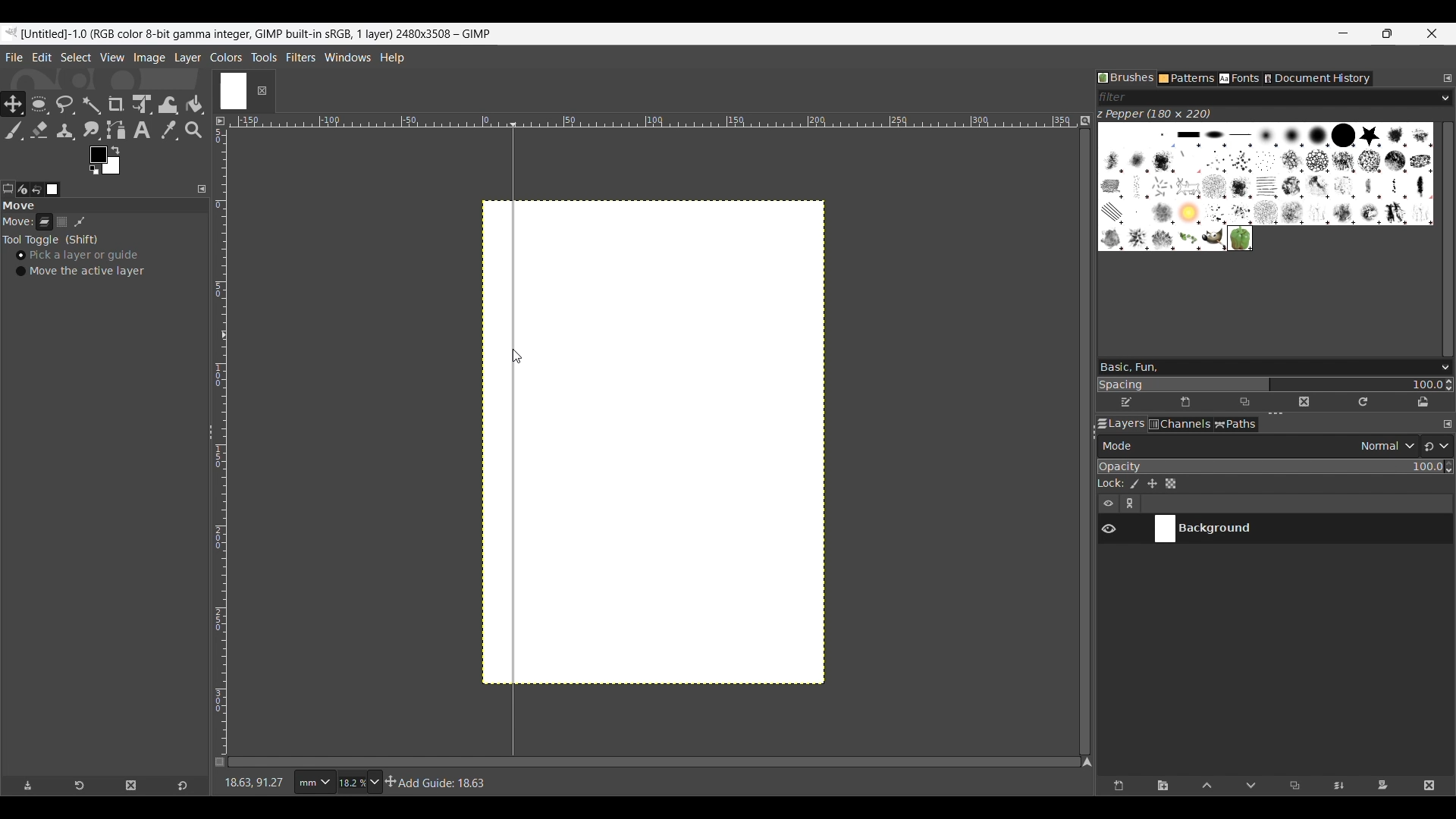  Describe the element at coordinates (168, 105) in the screenshot. I see `Wrap transform` at that location.